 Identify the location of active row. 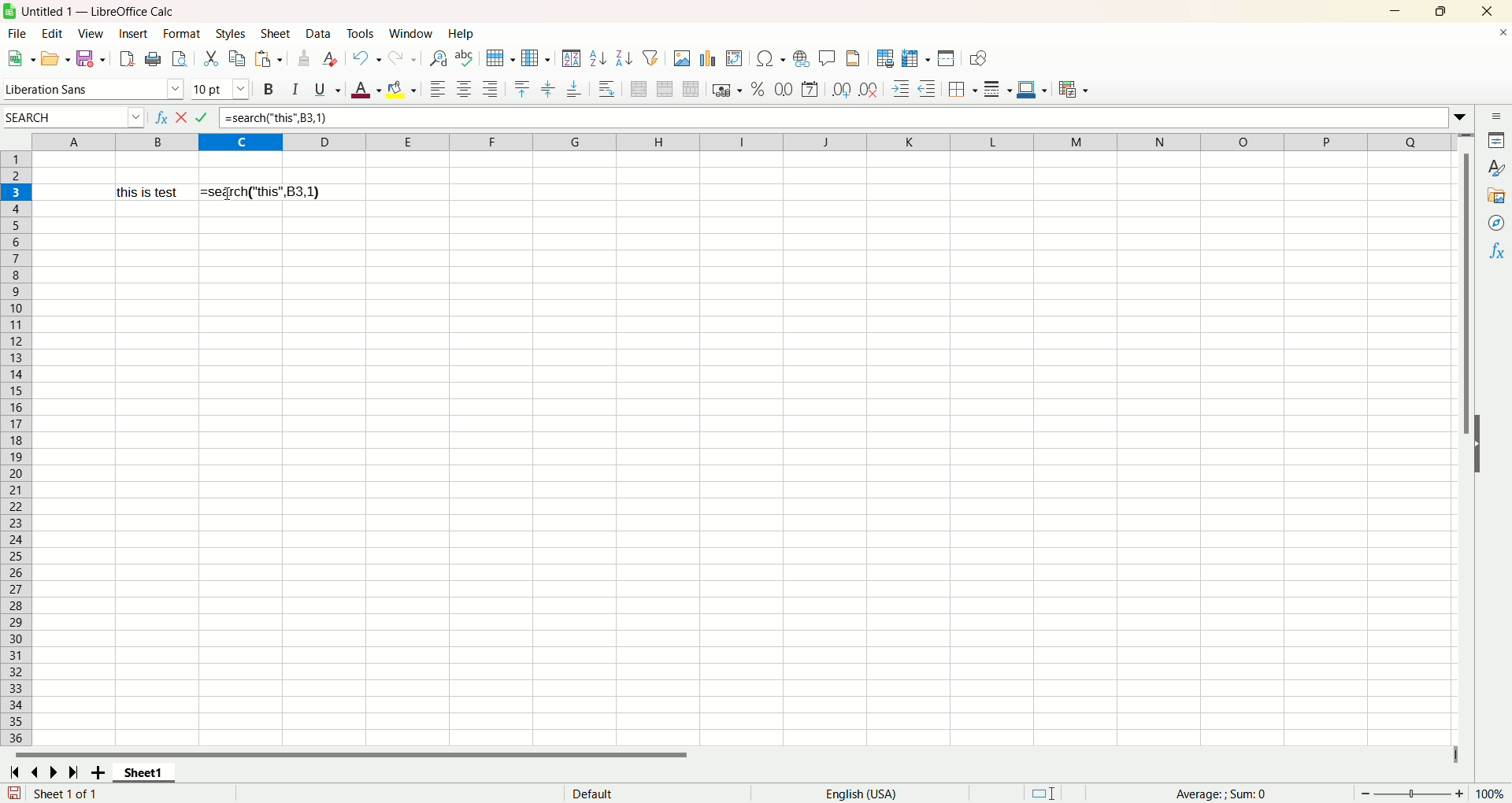
(16, 192).